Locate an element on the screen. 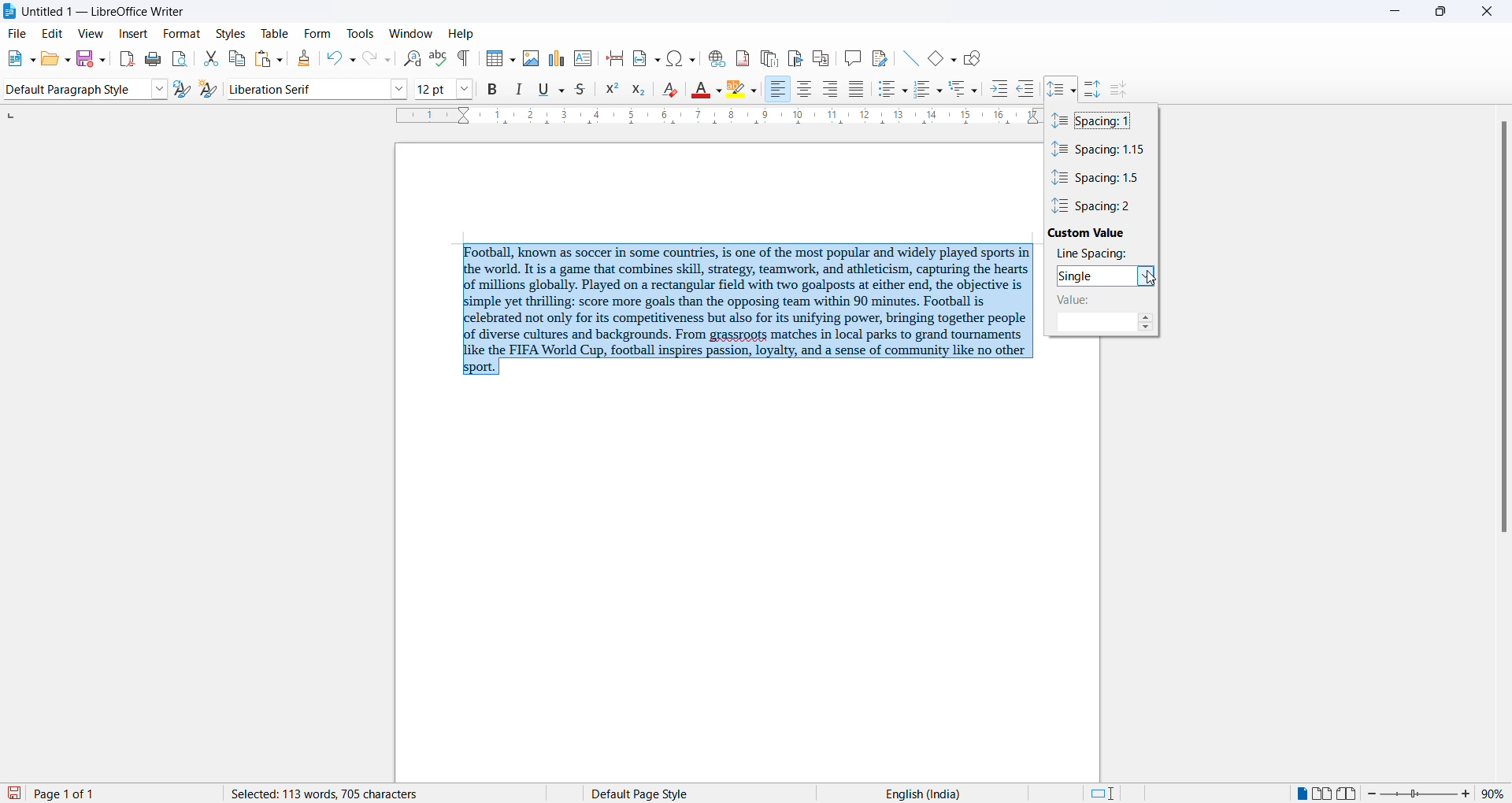 This screenshot has width=1512, height=803. insert cross-reference is located at coordinates (824, 58).